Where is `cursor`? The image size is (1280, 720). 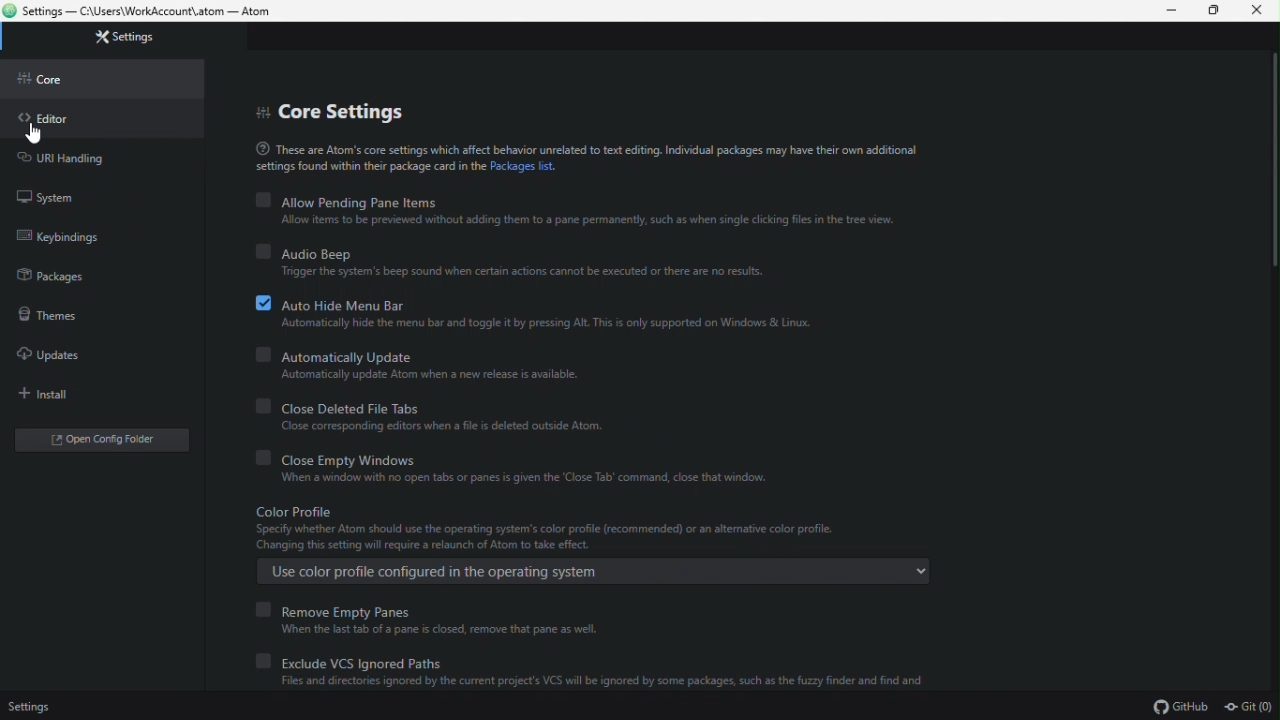 cursor is located at coordinates (34, 131).